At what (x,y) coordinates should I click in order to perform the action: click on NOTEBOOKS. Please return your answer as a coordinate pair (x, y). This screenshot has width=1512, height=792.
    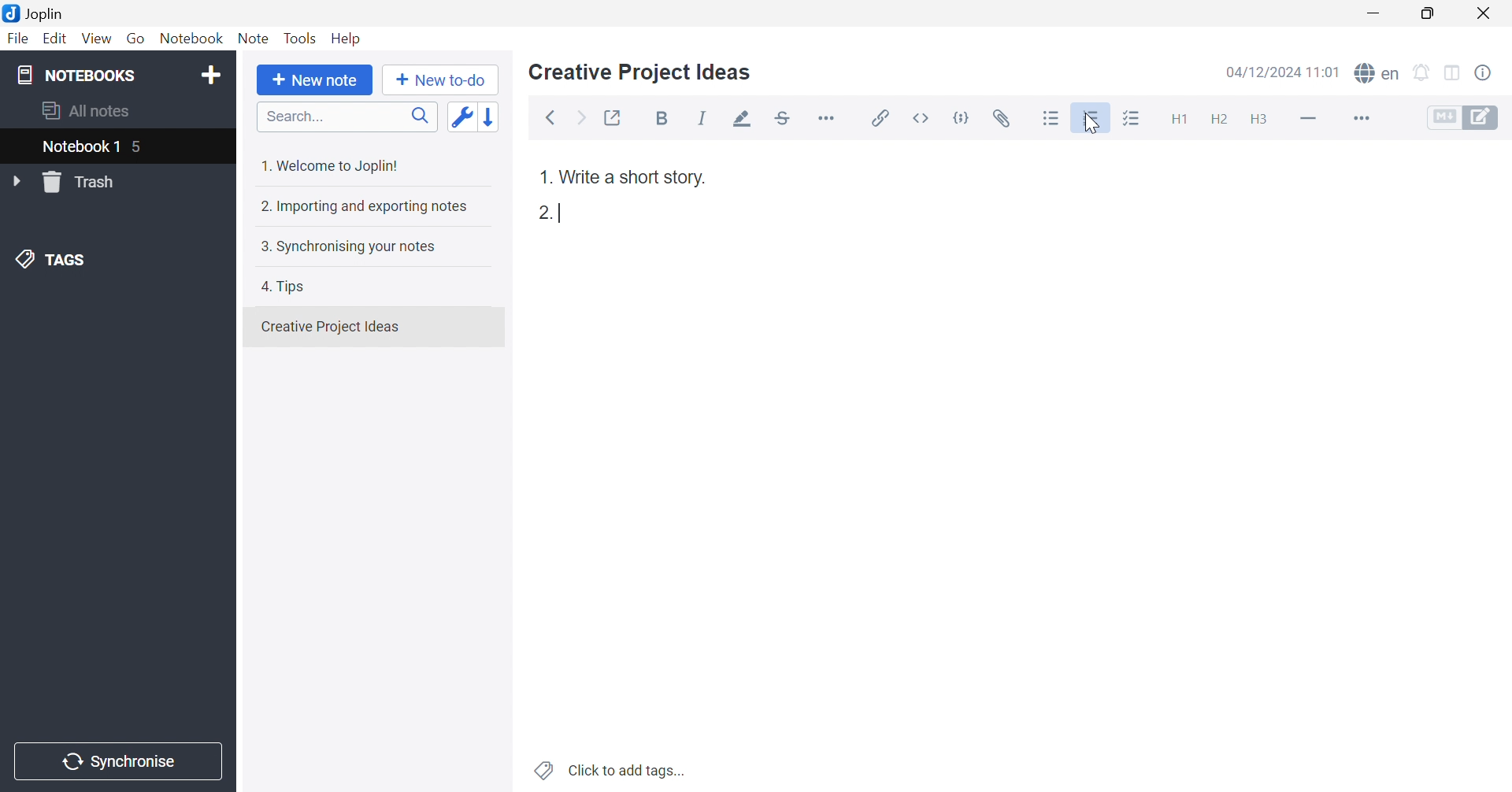
    Looking at the image, I should click on (79, 76).